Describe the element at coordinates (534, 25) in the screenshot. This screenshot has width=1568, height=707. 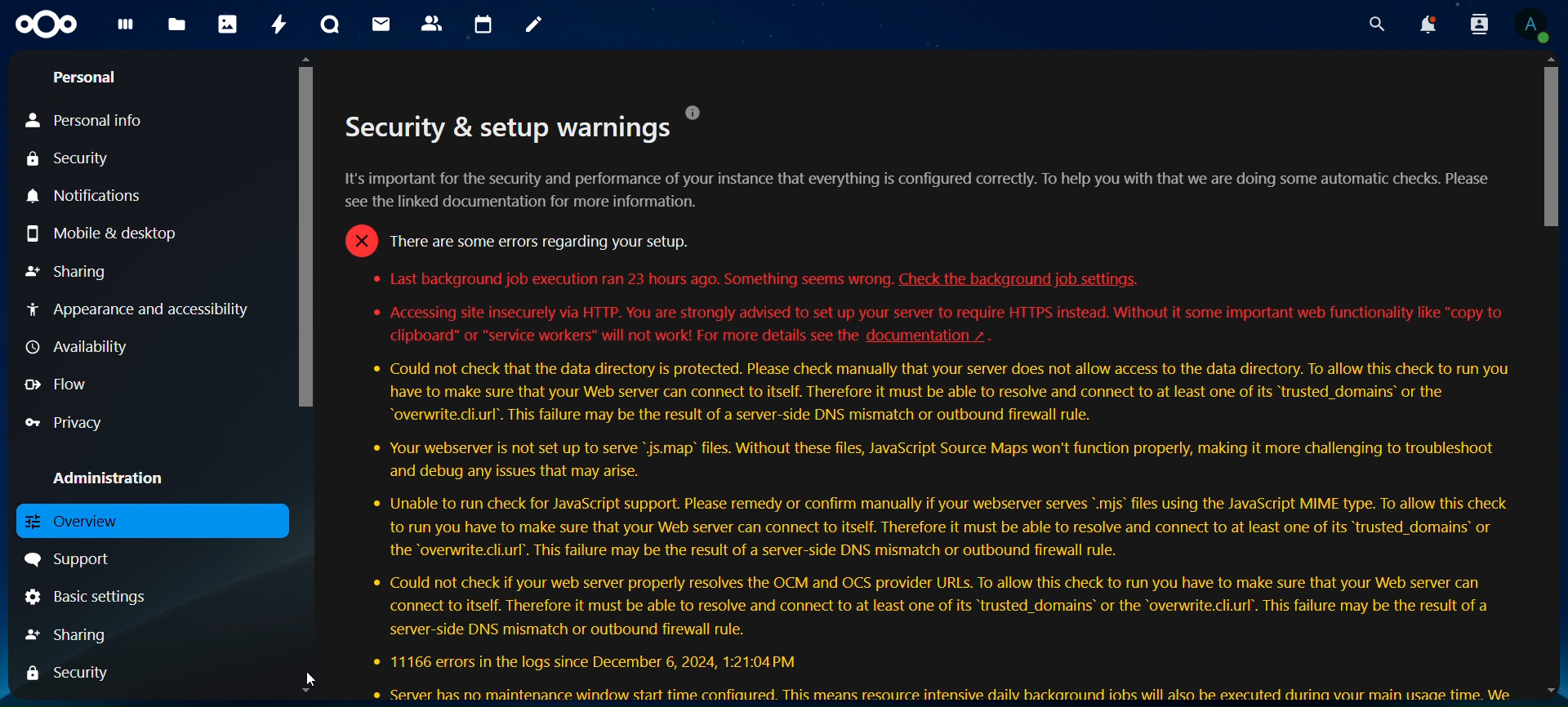
I see `notes` at that location.